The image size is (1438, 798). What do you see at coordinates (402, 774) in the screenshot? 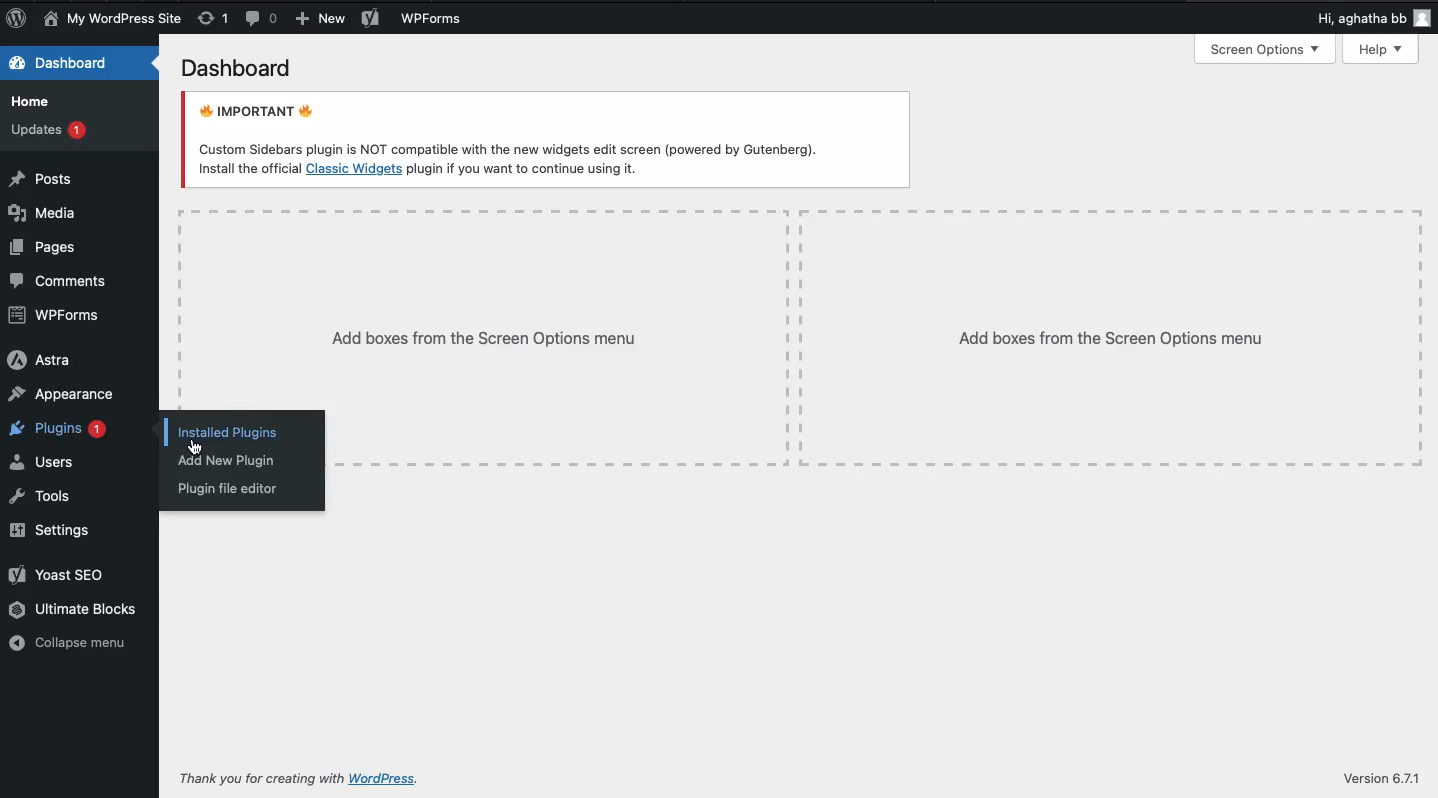
I see `wordpress` at bounding box center [402, 774].